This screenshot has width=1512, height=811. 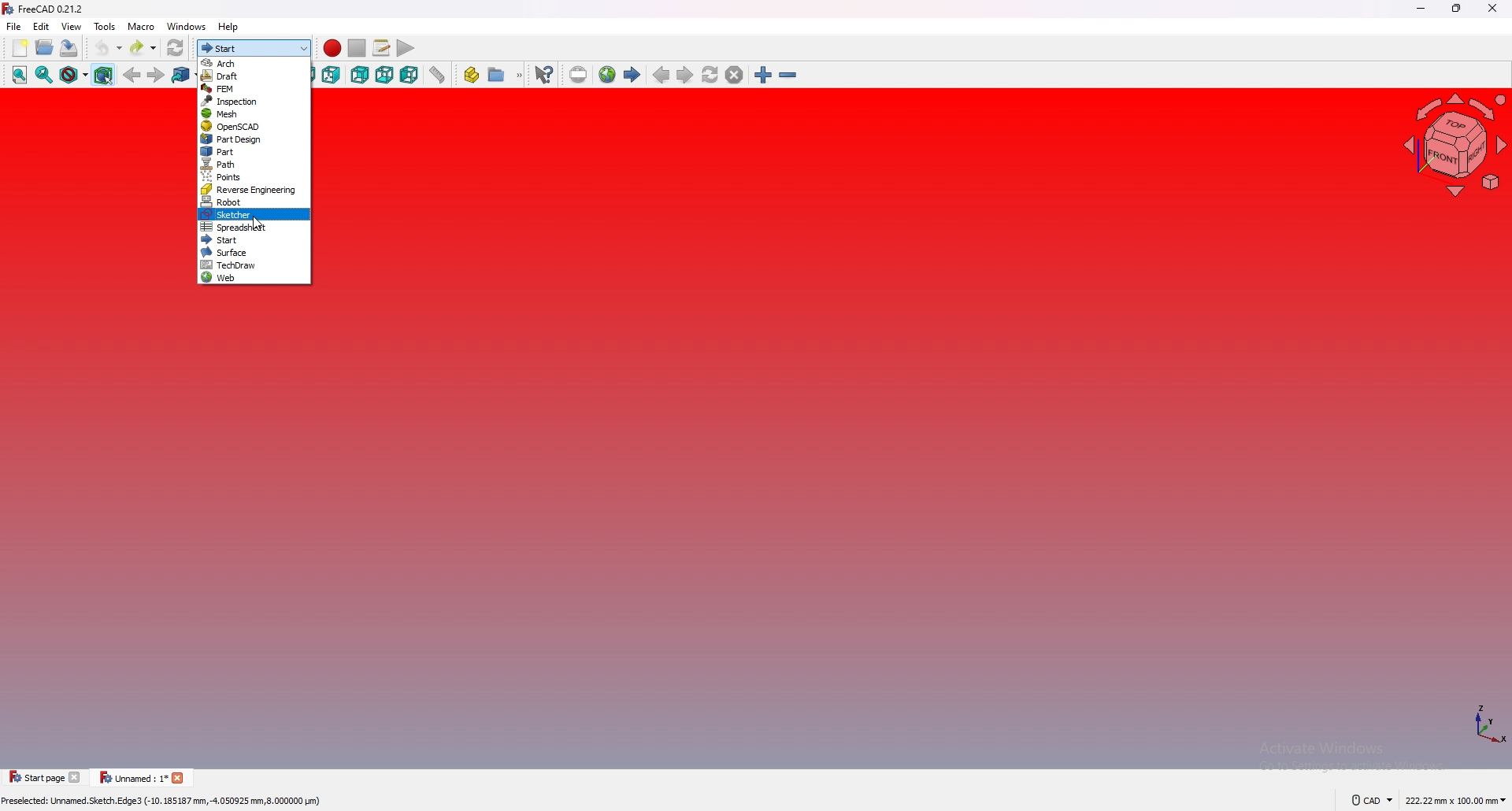 What do you see at coordinates (70, 49) in the screenshot?
I see `save` at bounding box center [70, 49].